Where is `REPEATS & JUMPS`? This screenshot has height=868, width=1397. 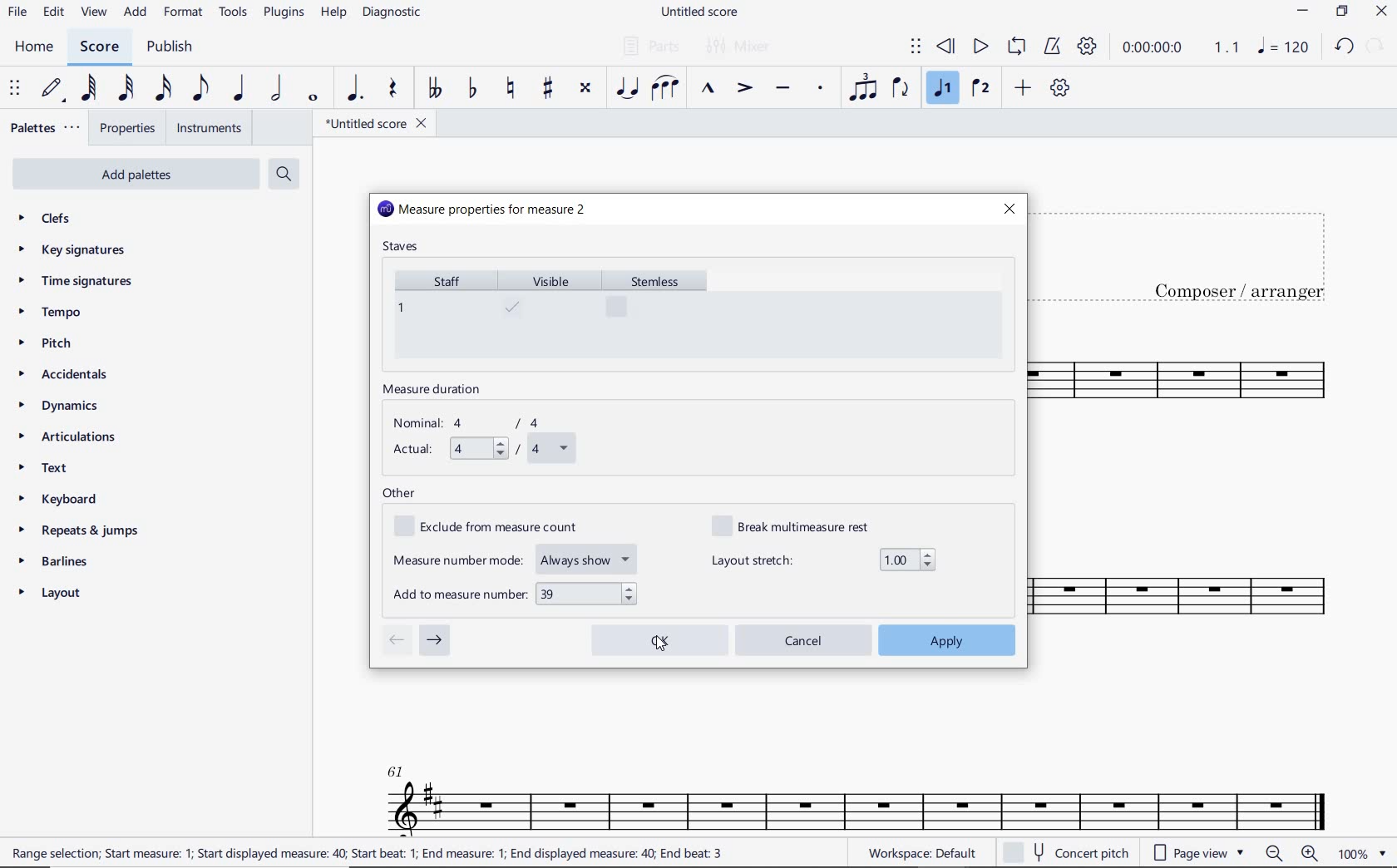
REPEATS & JUMPS is located at coordinates (79, 533).